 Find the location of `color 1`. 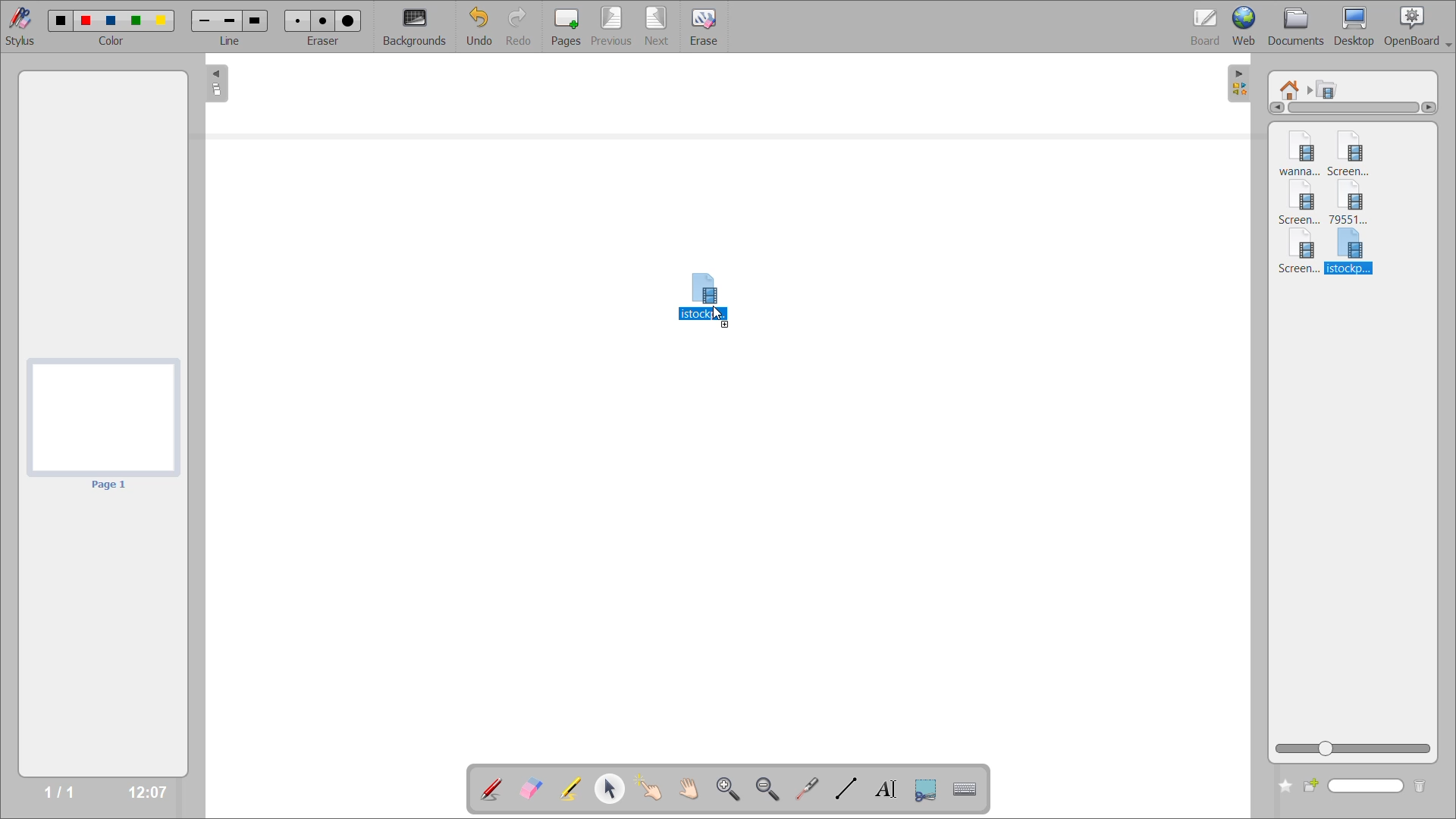

color 1 is located at coordinates (60, 20).